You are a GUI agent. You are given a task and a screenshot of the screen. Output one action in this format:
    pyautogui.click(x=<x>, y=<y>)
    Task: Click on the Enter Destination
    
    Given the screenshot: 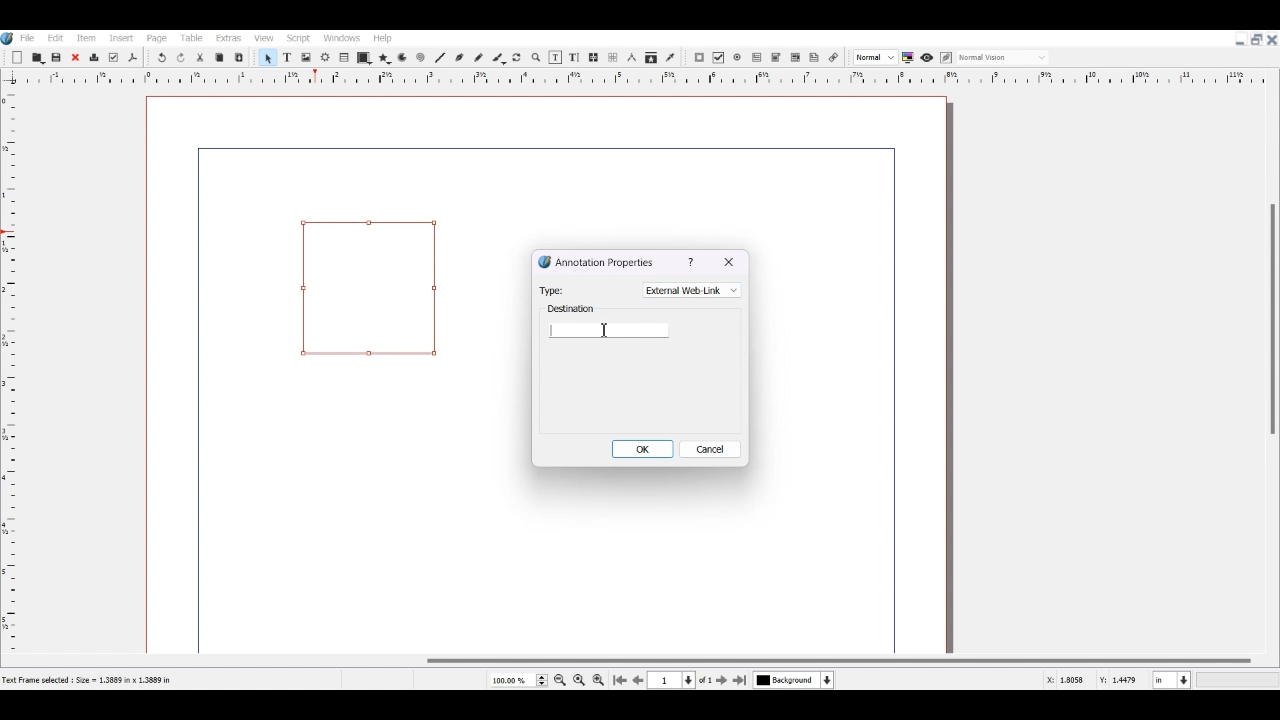 What is the action you would take?
    pyautogui.click(x=609, y=322)
    